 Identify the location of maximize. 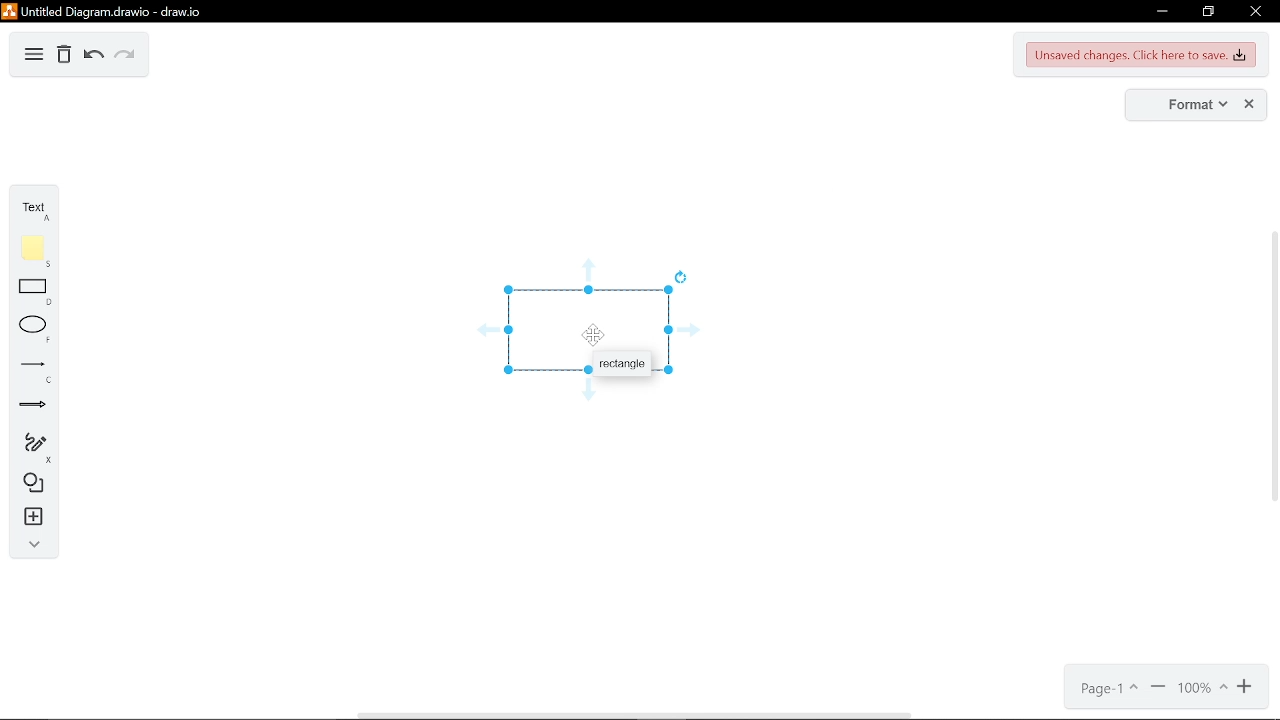
(1207, 12).